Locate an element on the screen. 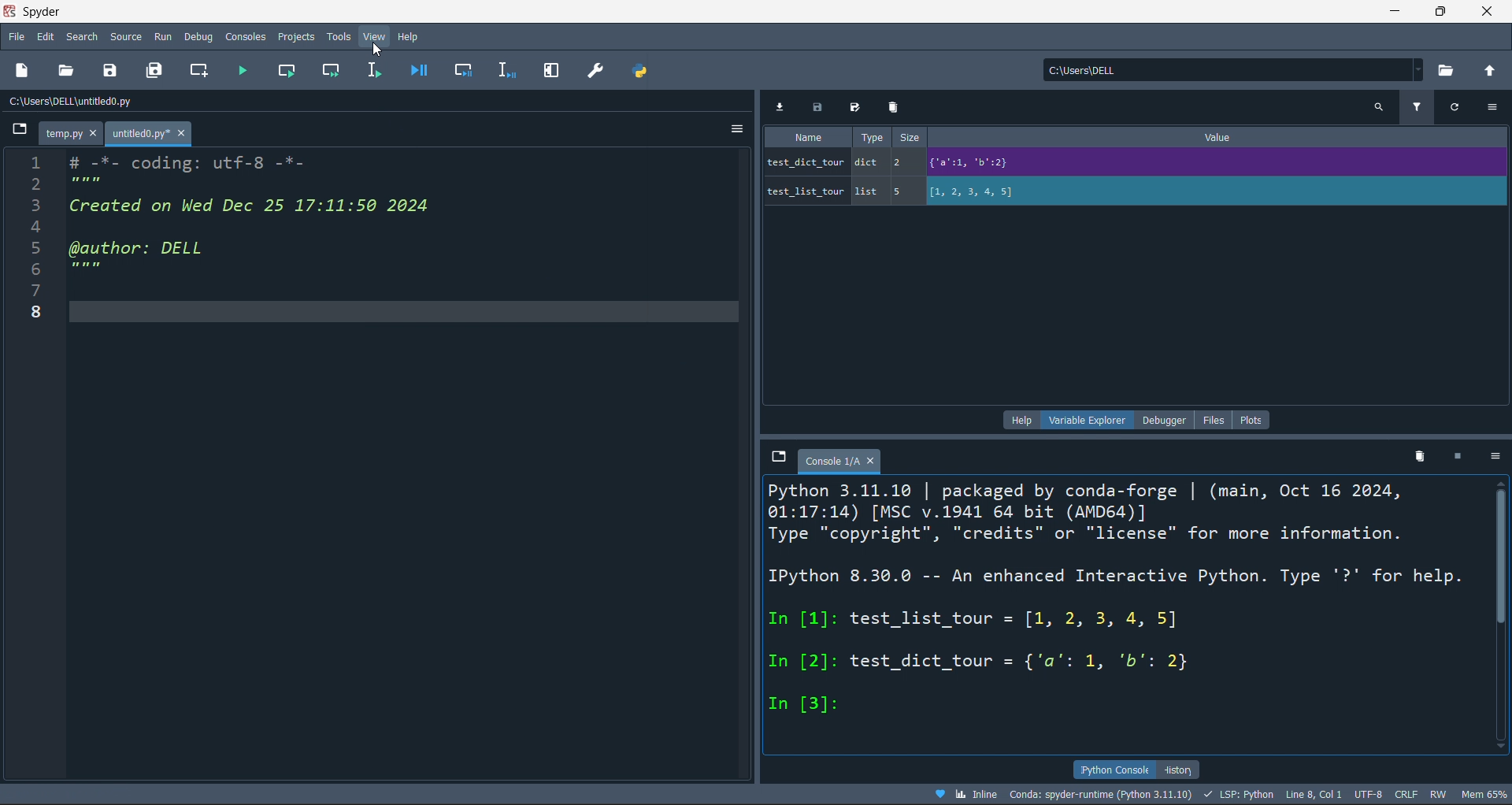 This screenshot has height=805, width=1512. save is located at coordinates (110, 72).